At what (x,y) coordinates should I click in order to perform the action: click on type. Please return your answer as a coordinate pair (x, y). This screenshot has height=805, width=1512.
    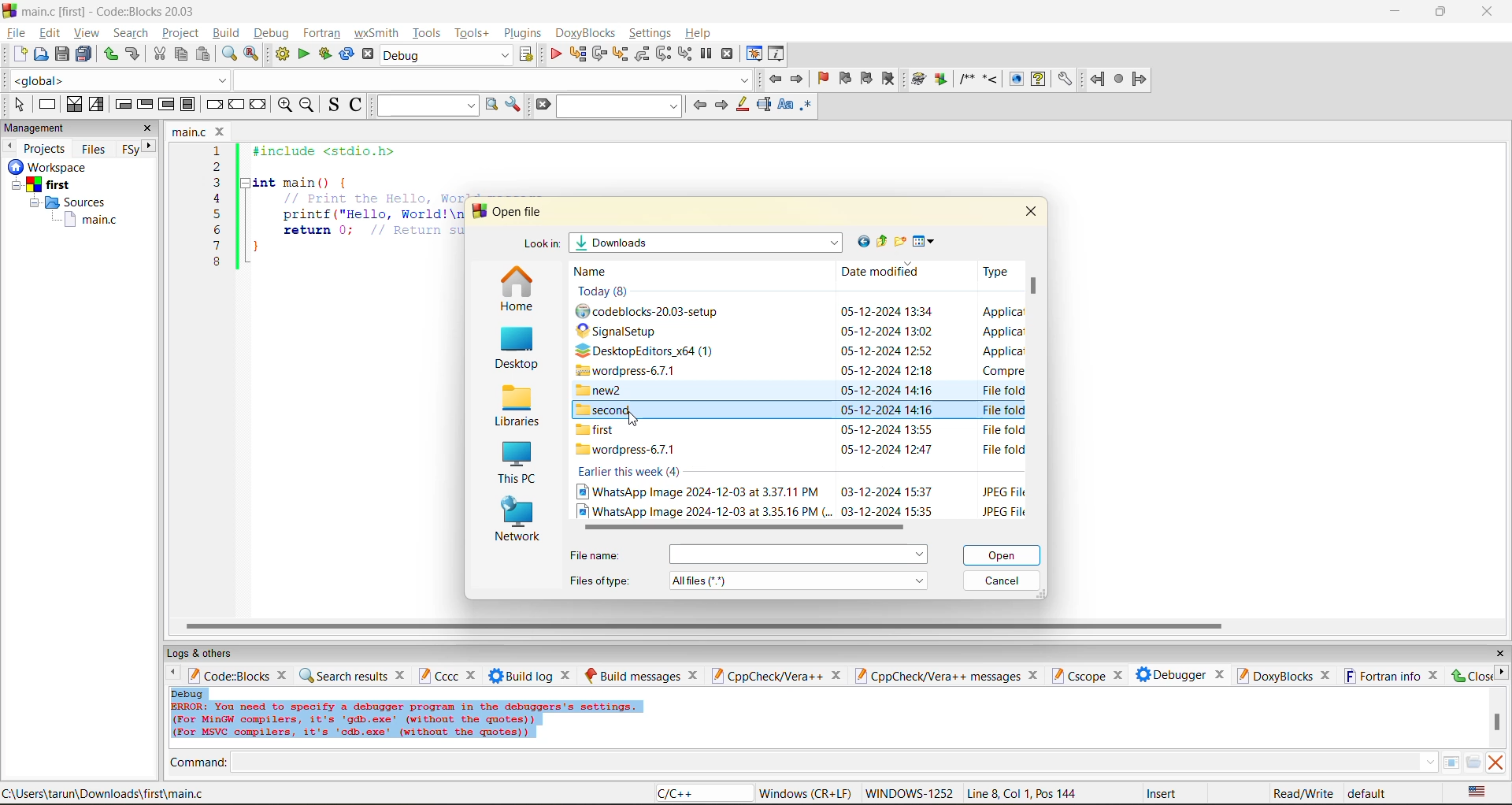
    Looking at the image, I should click on (1002, 389).